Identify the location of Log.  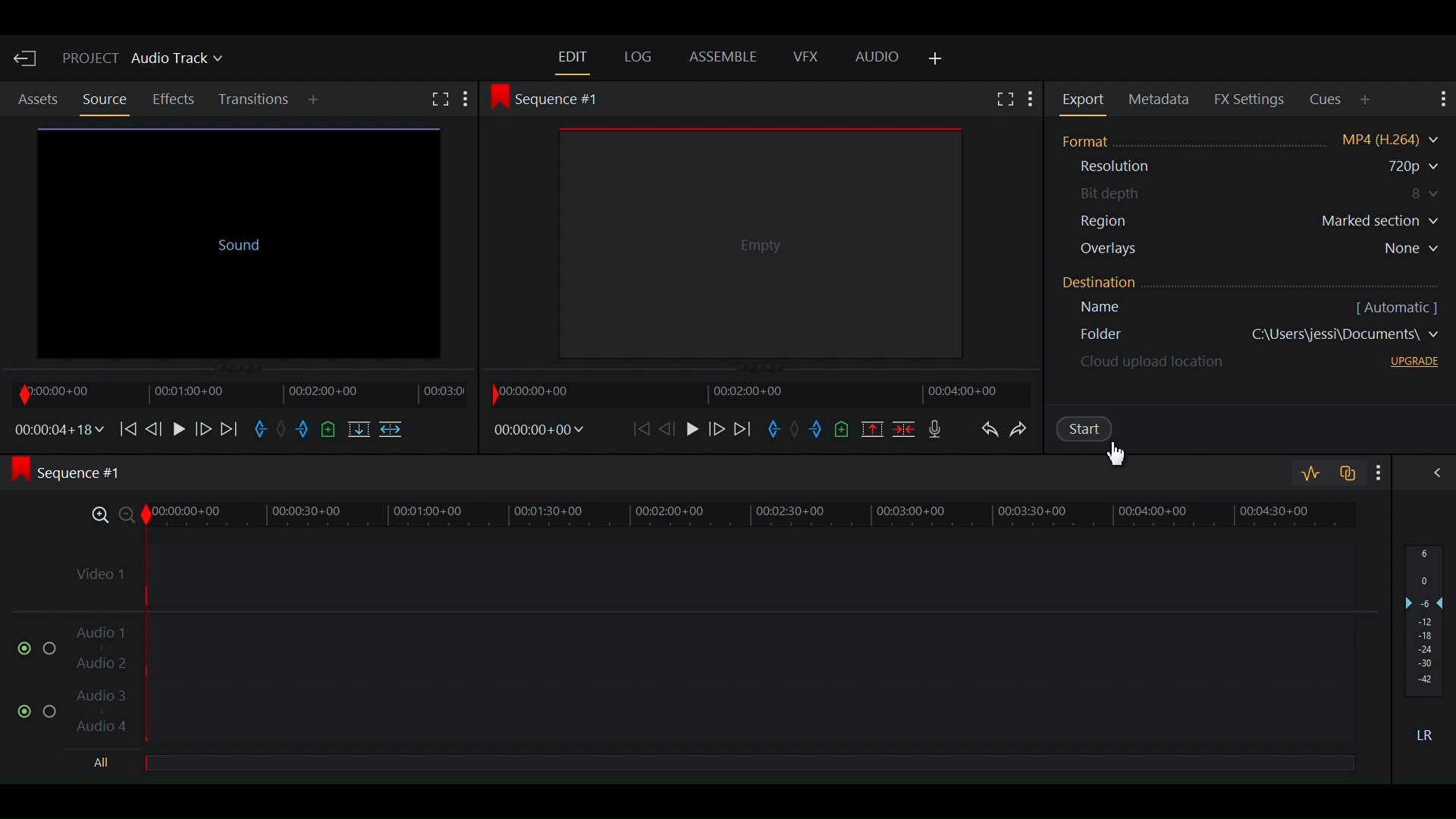
(639, 57).